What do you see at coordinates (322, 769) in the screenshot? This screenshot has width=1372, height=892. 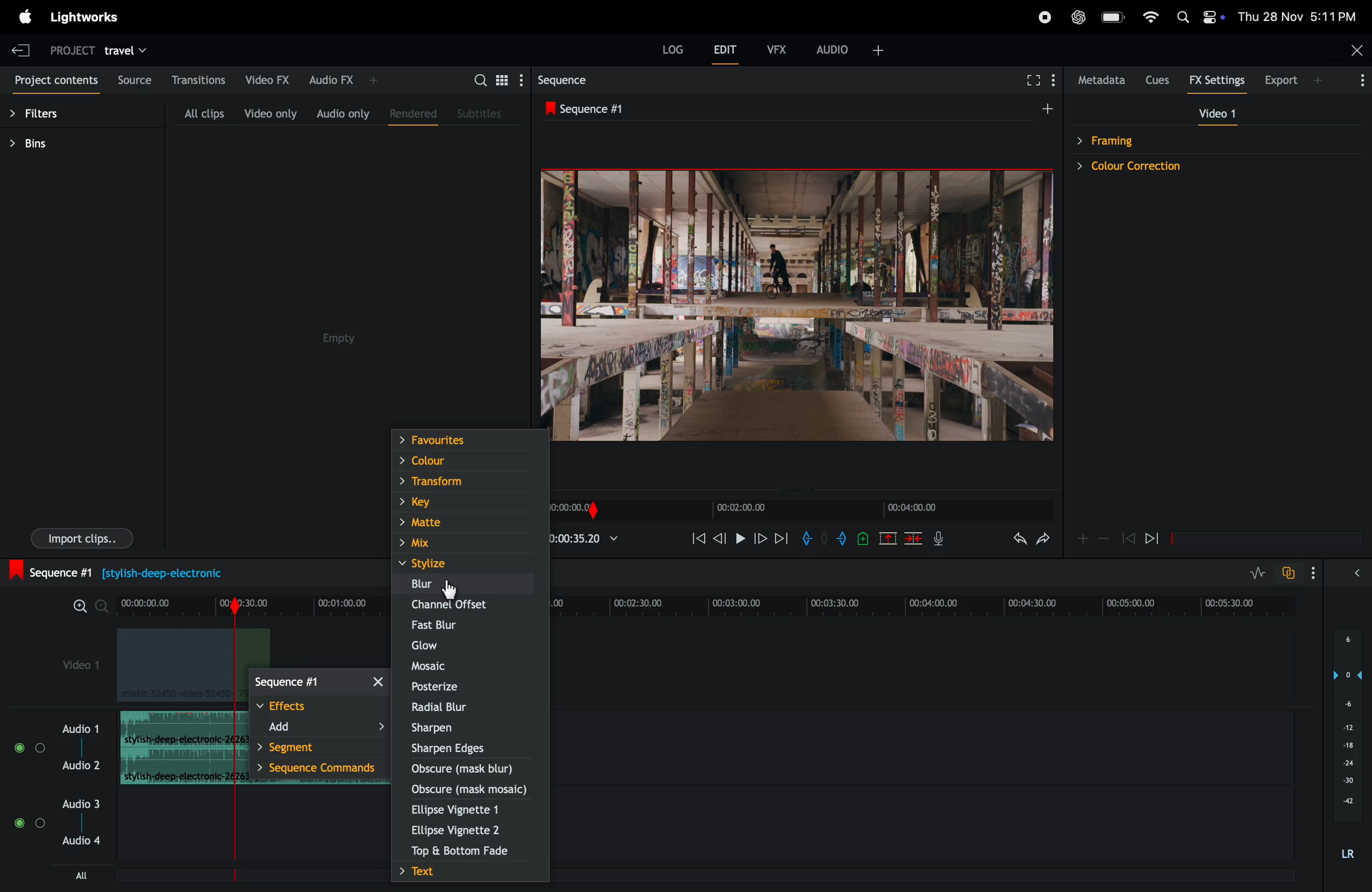 I see `sequence commands` at bounding box center [322, 769].